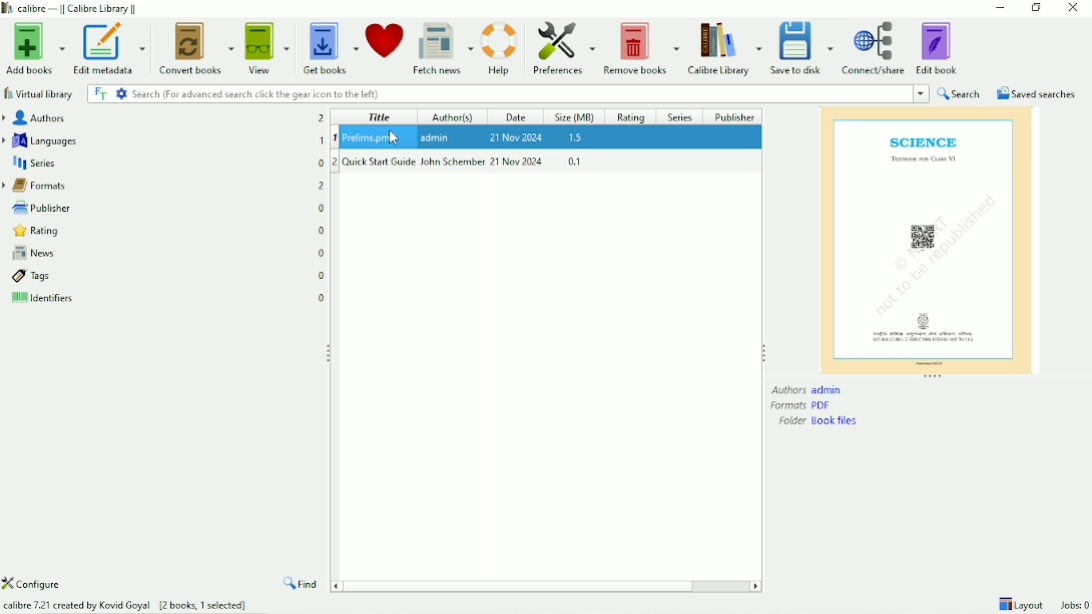 The height and width of the screenshot is (614, 1092). What do you see at coordinates (38, 206) in the screenshot?
I see `Publisher` at bounding box center [38, 206].